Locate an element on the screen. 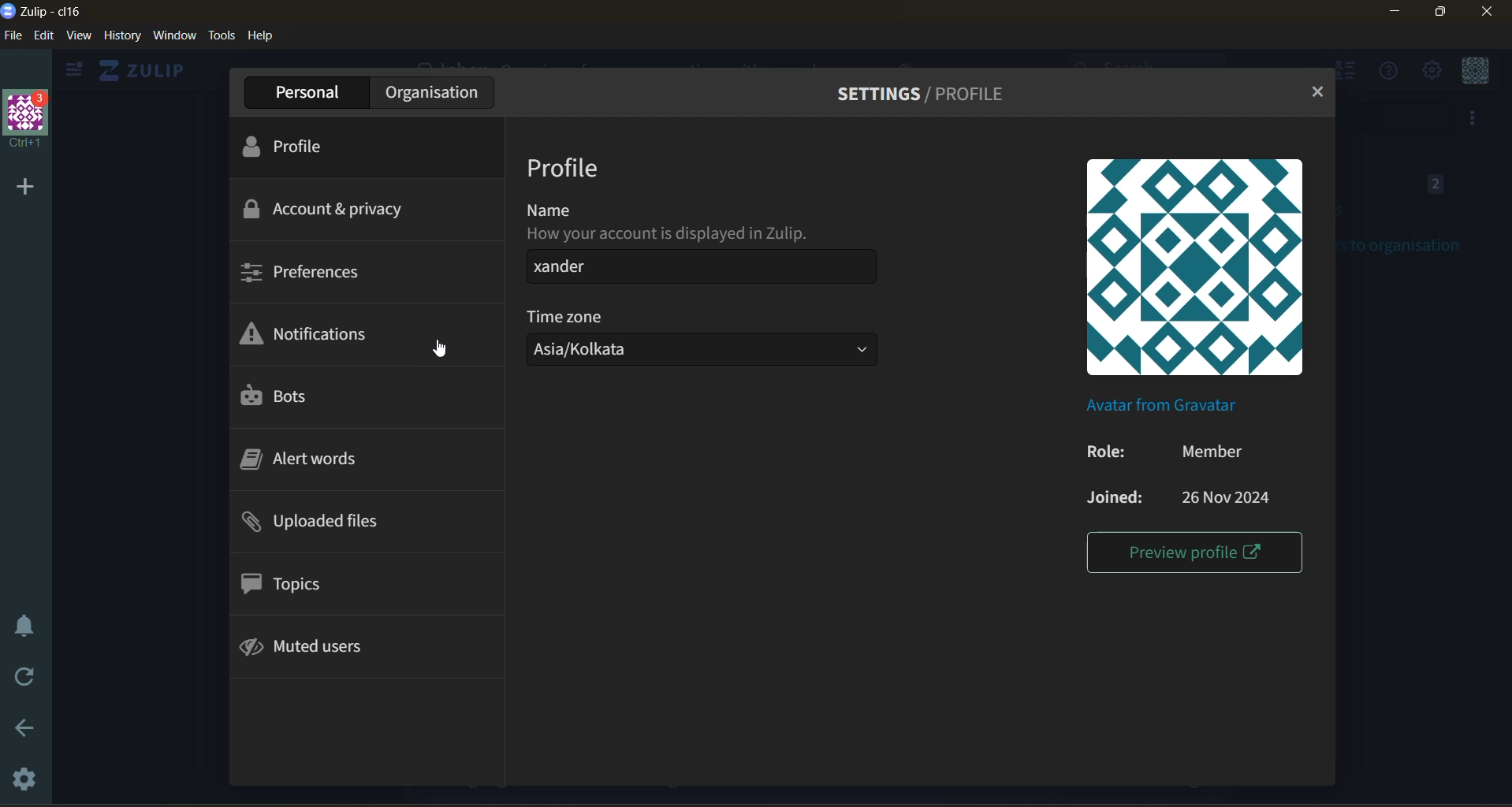  window is located at coordinates (174, 35).